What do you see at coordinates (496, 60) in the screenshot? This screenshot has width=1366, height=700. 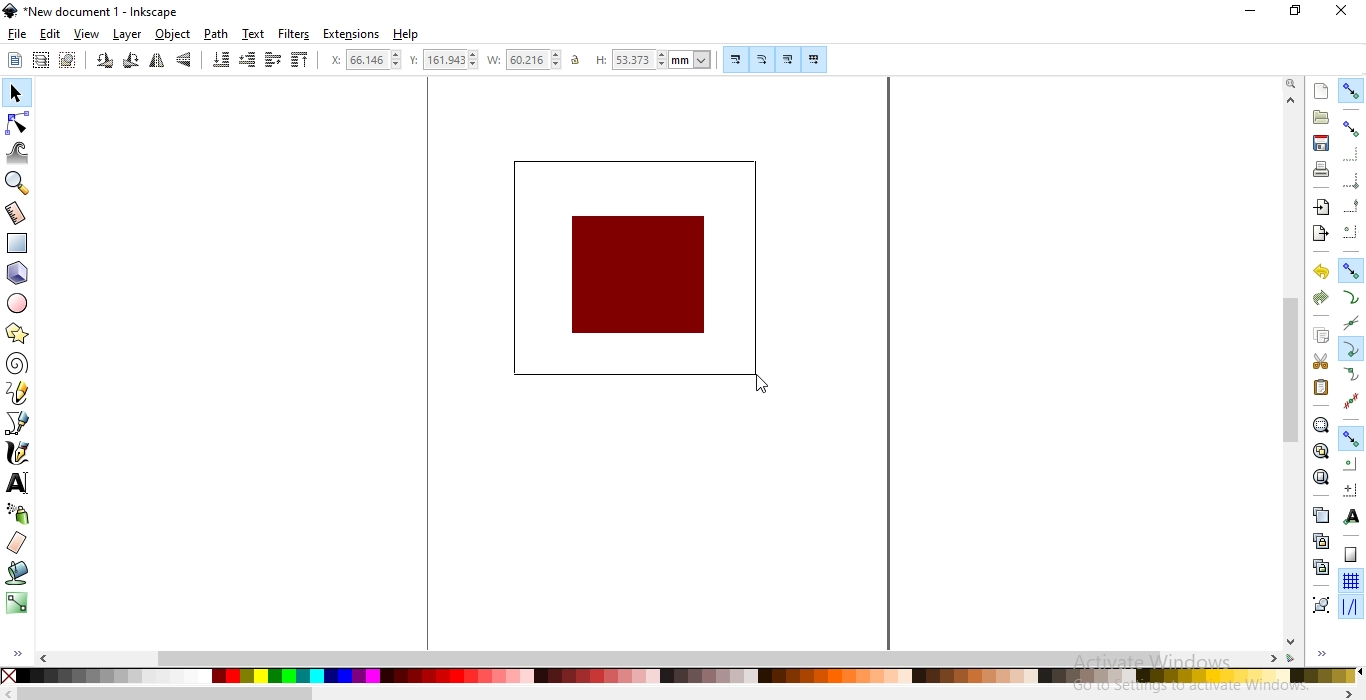 I see `width of selection` at bounding box center [496, 60].